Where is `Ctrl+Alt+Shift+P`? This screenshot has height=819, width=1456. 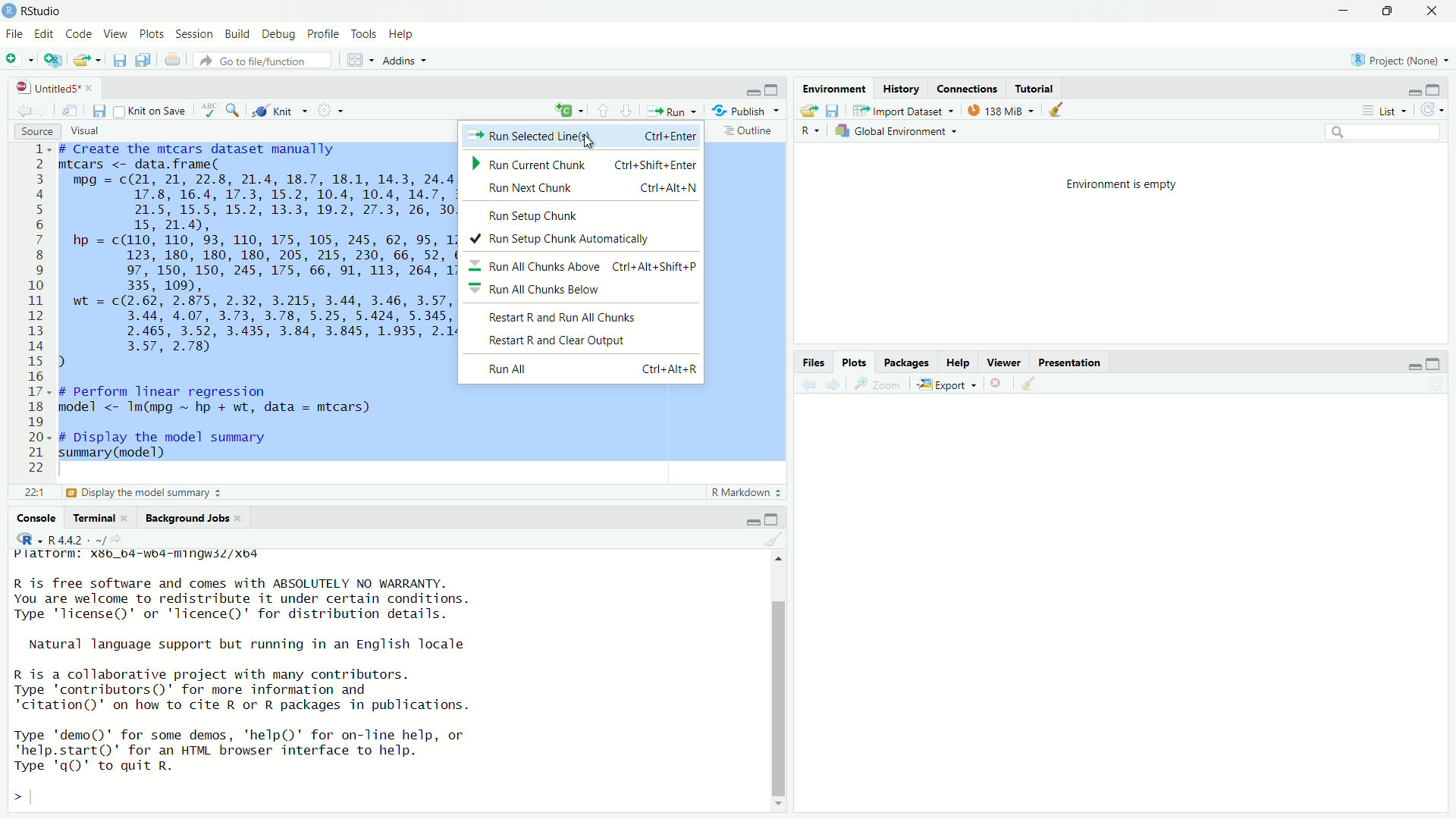 Ctrl+Alt+Shift+P is located at coordinates (657, 267).